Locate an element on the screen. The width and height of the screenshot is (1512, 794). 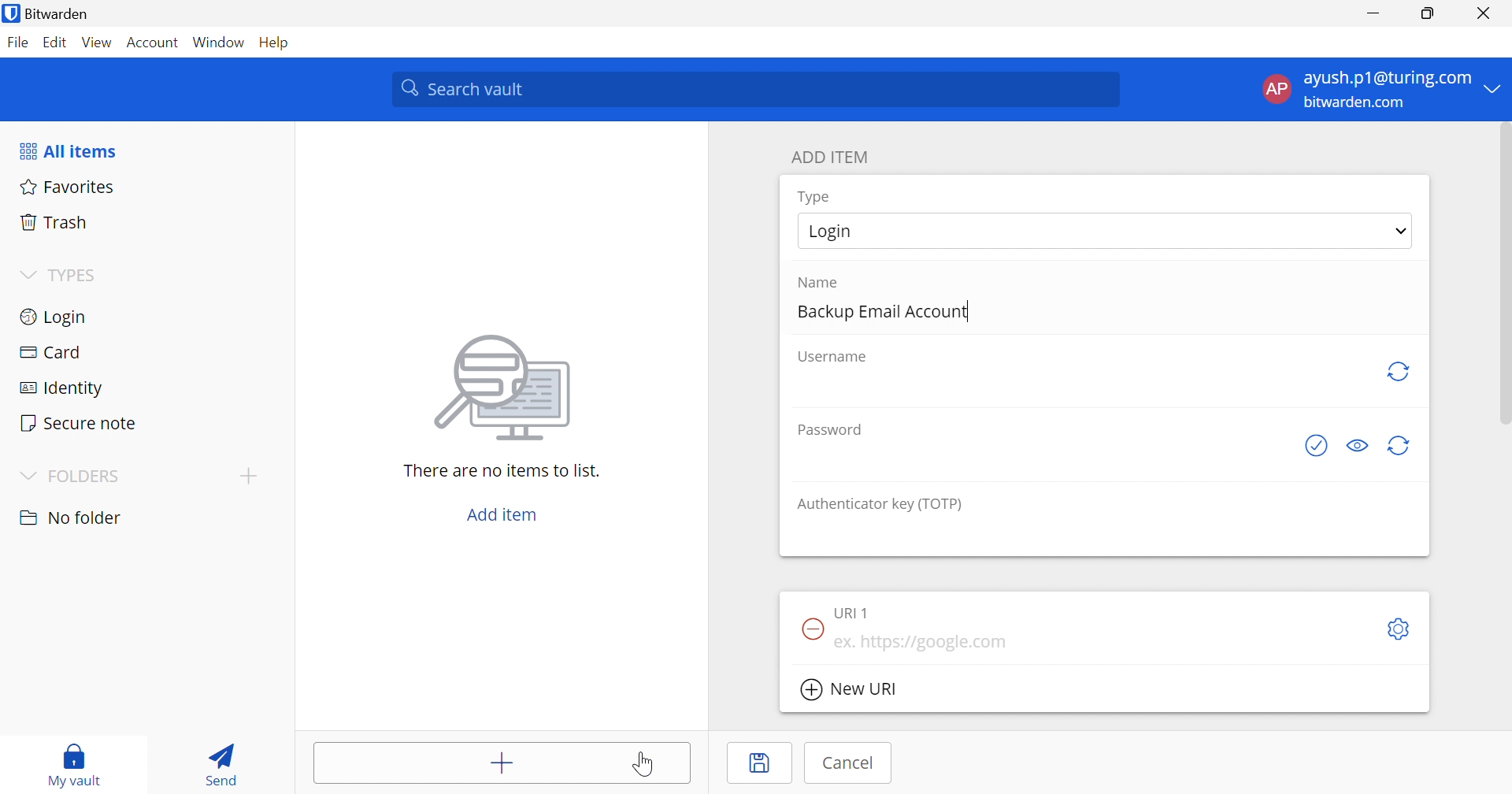
Generate password is located at coordinates (1399, 371).